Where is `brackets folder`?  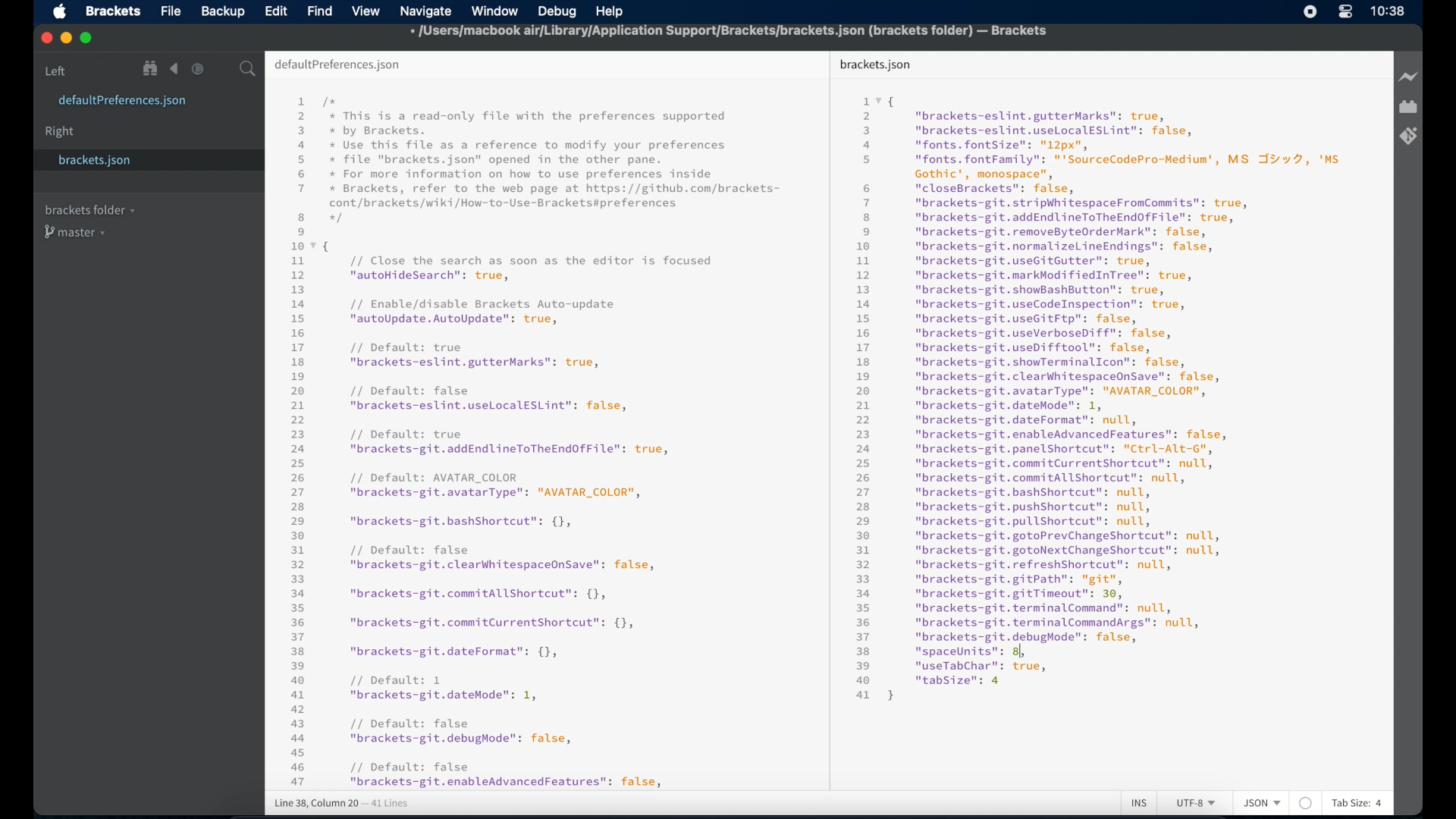 brackets folder is located at coordinates (89, 209).